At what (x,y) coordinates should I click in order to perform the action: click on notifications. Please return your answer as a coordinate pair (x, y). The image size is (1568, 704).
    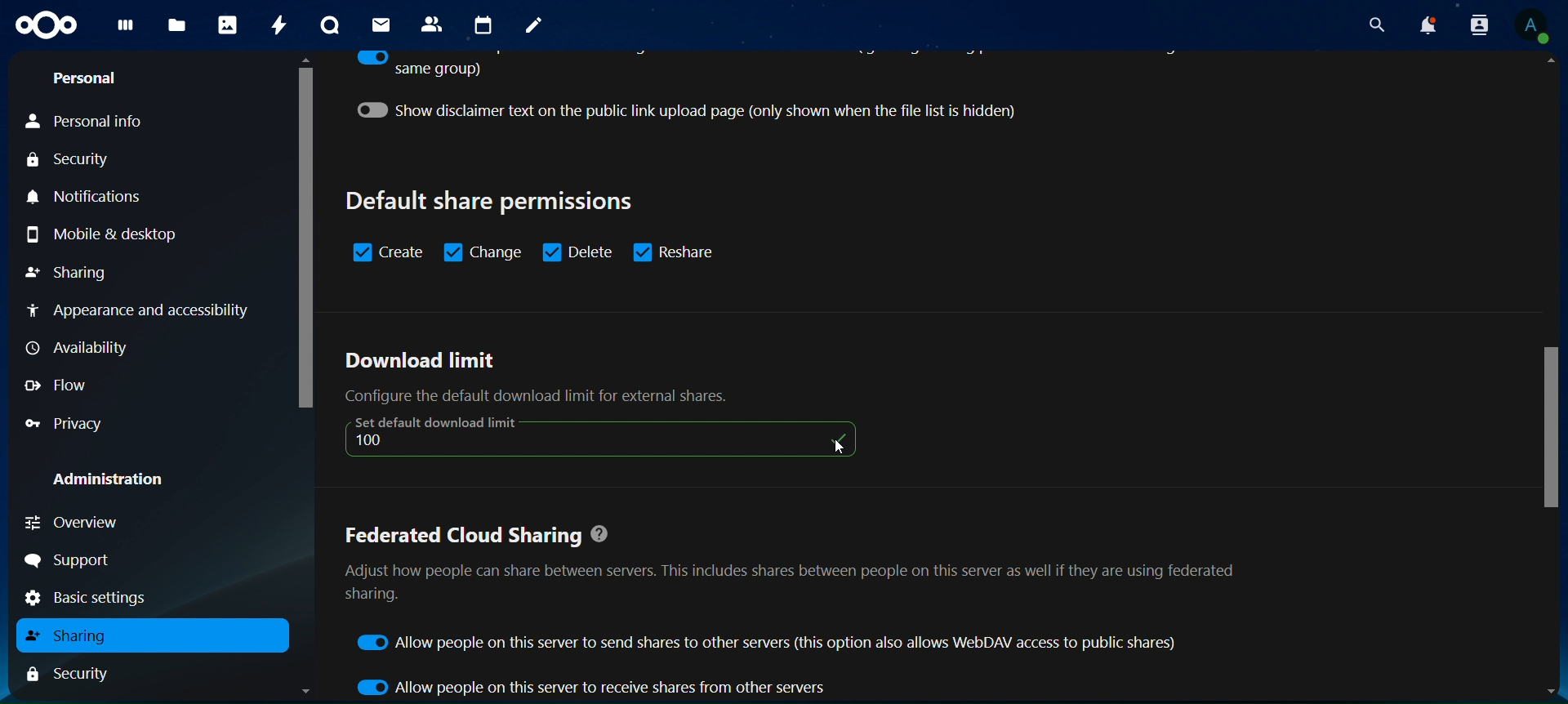
    Looking at the image, I should click on (1427, 25).